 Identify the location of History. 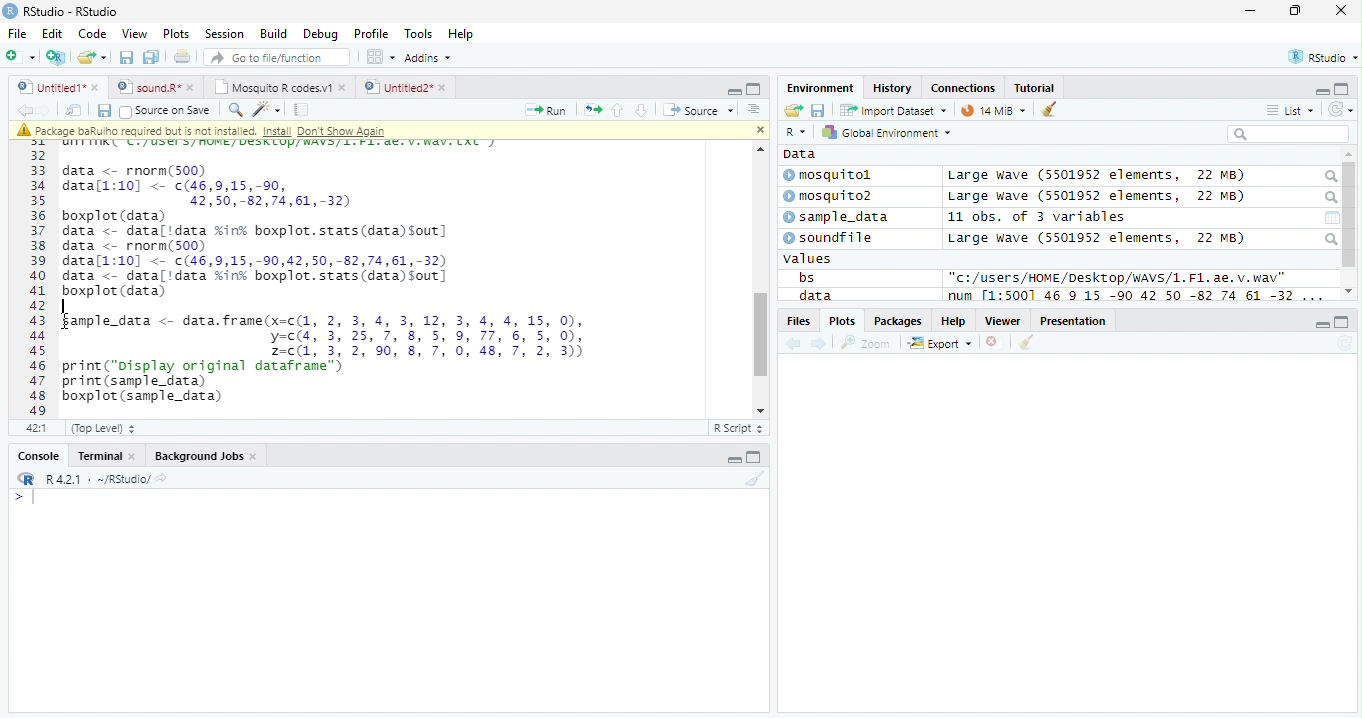
(892, 88).